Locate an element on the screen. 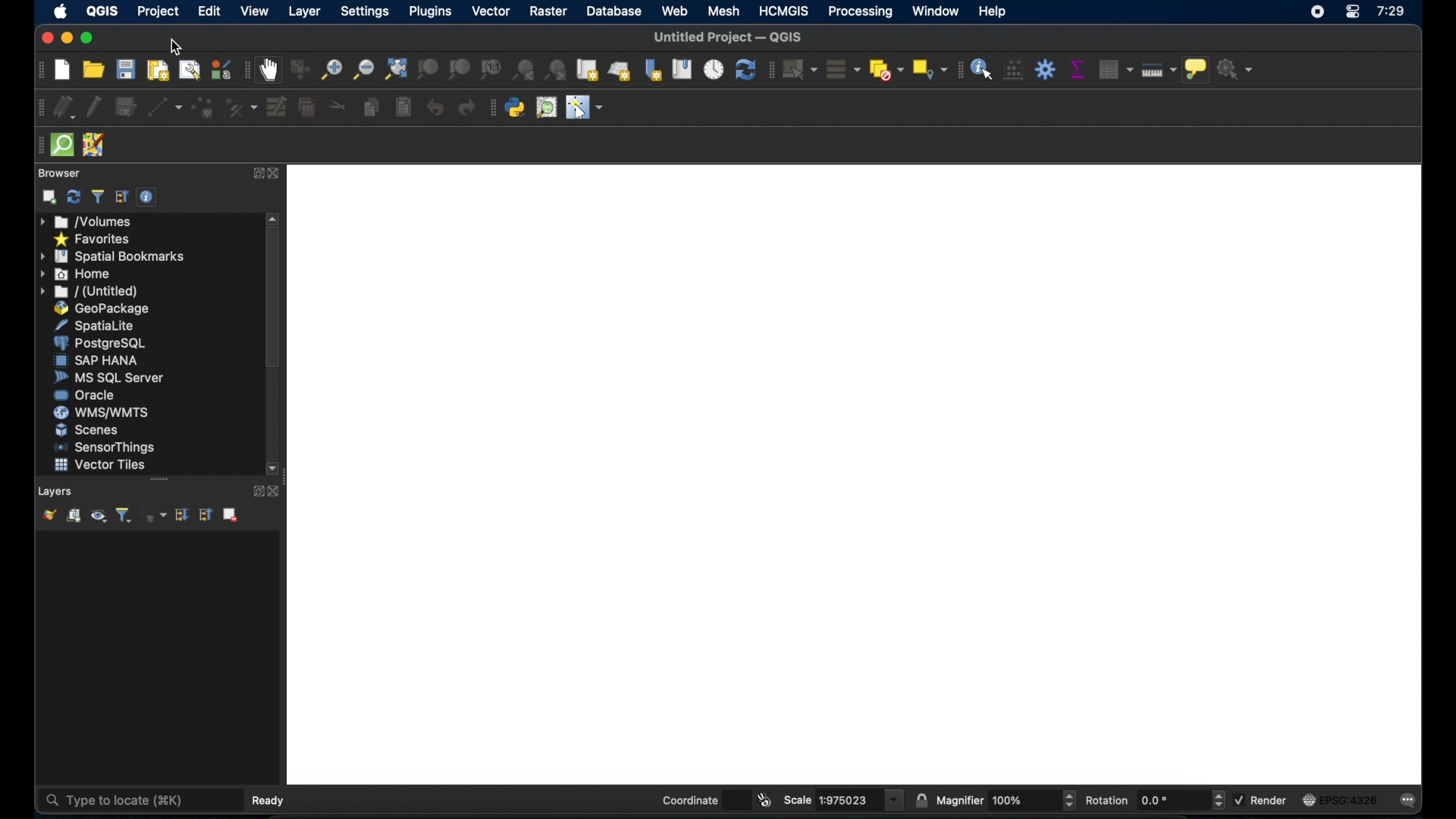 This screenshot has width=1456, height=819. zoom full is located at coordinates (397, 71).